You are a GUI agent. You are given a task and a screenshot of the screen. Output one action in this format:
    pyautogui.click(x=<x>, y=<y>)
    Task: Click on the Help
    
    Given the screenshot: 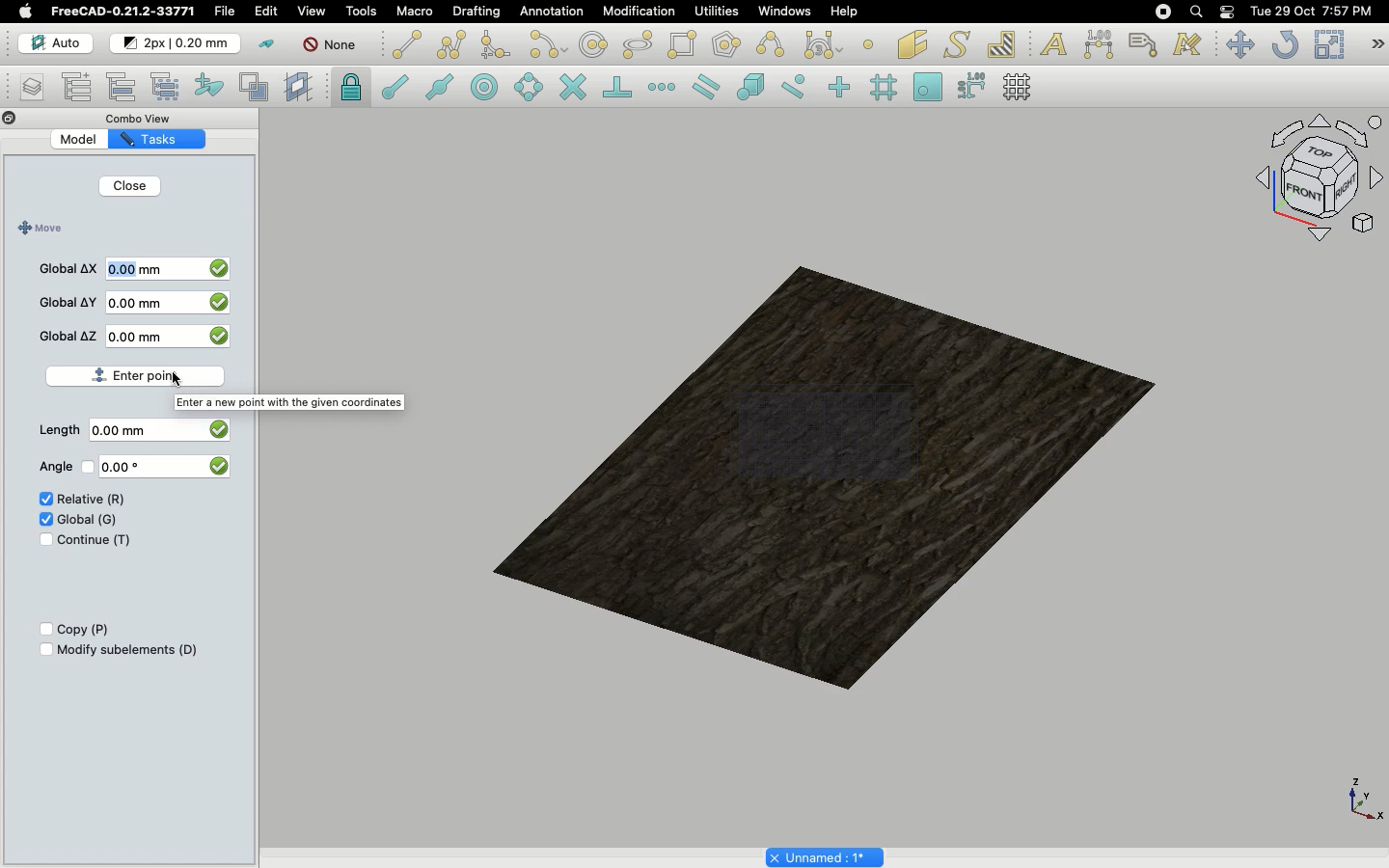 What is the action you would take?
    pyautogui.click(x=844, y=11)
    